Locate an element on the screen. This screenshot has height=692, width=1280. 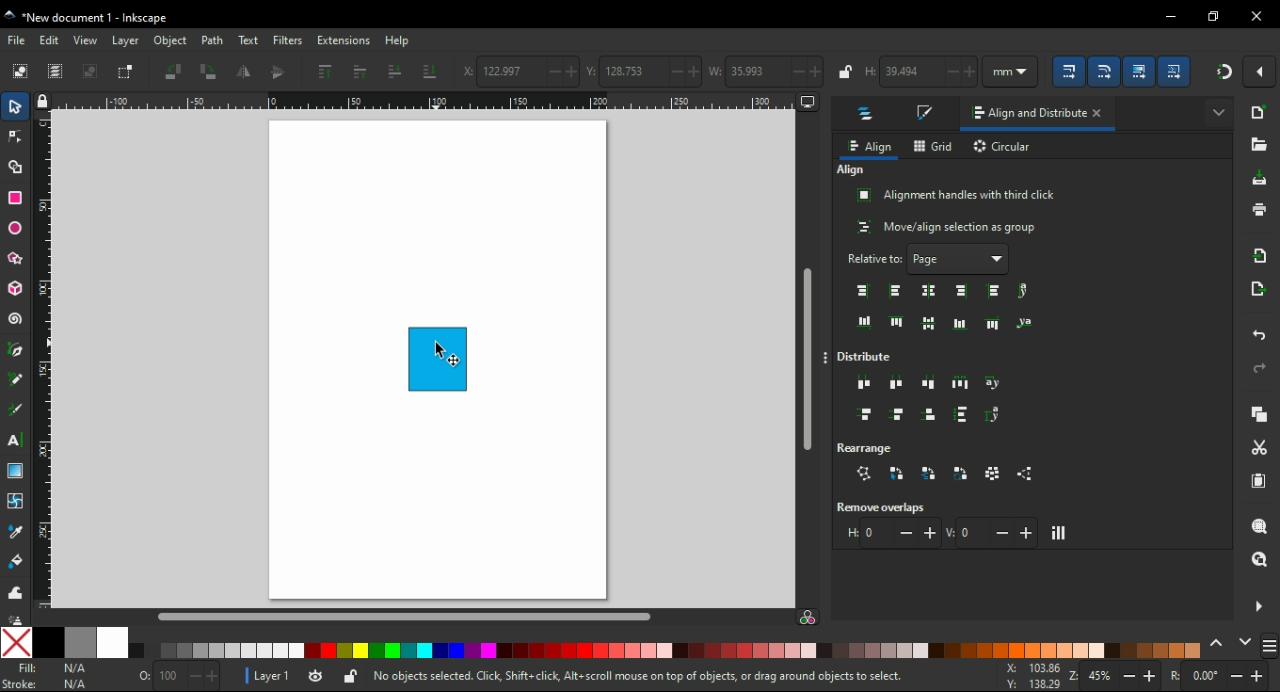
move gradients along with the objects is located at coordinates (1138, 71).